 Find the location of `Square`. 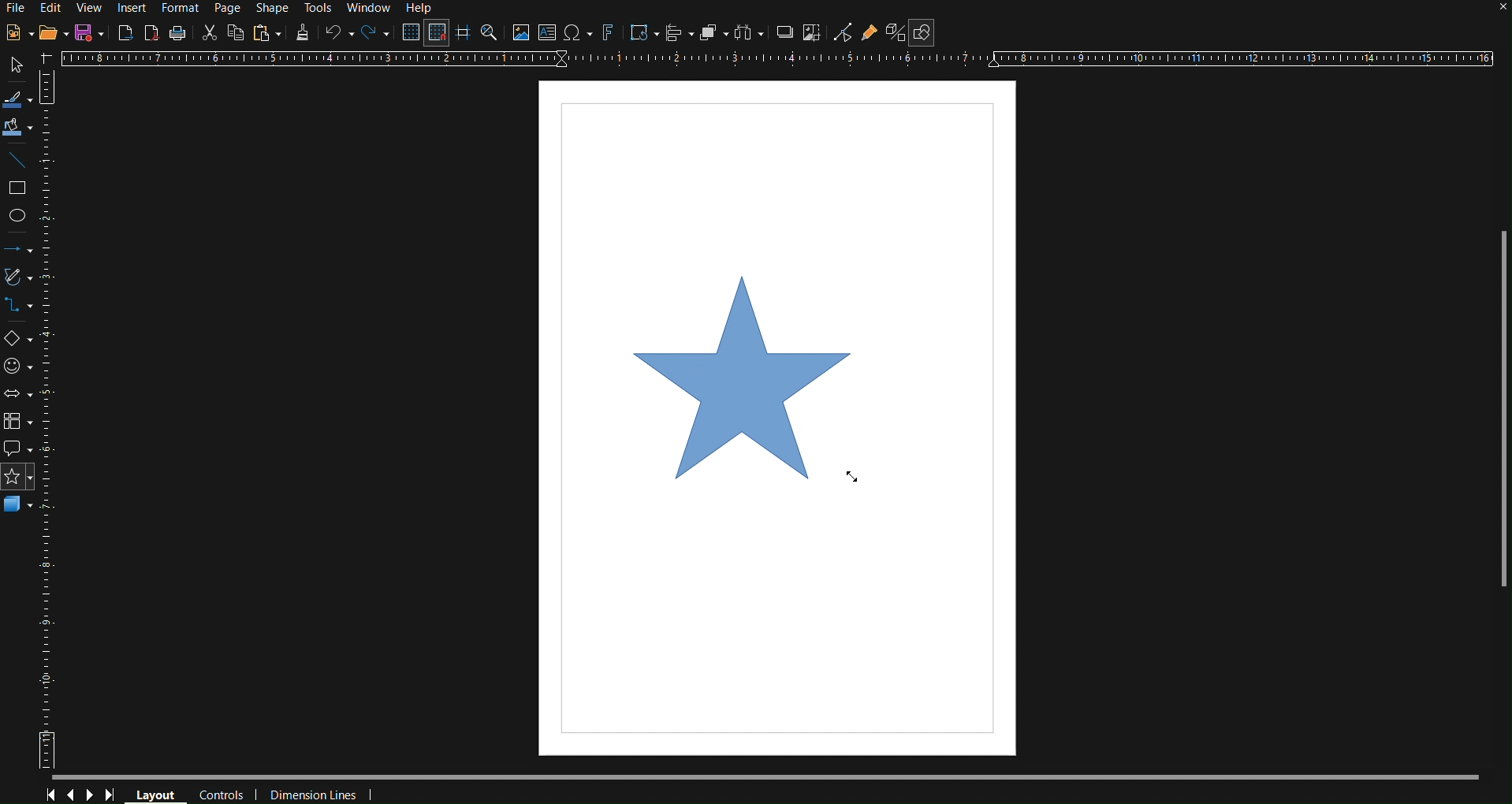

Square is located at coordinates (20, 187).